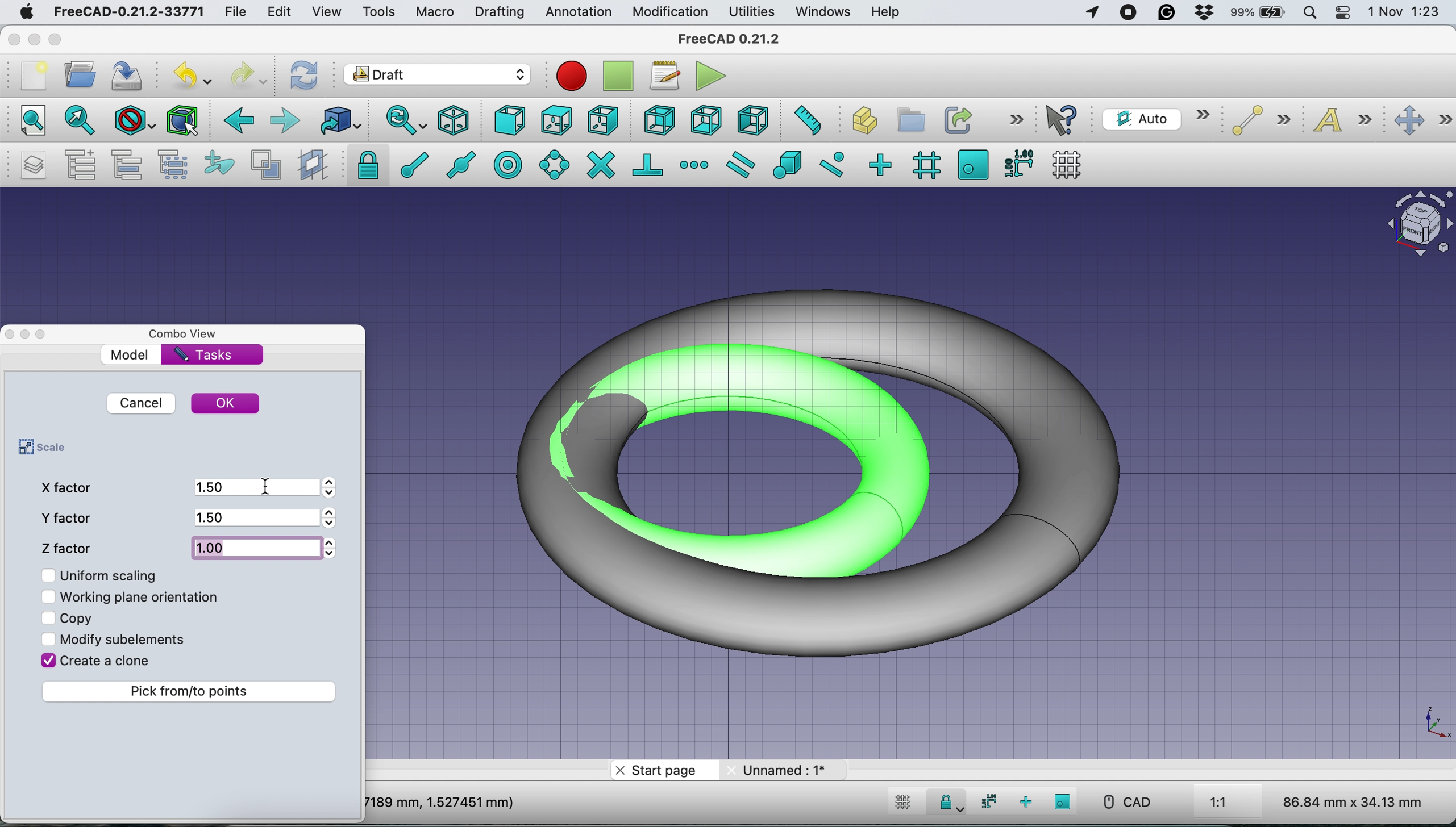  Describe the element at coordinates (80, 77) in the screenshot. I see `open` at that location.